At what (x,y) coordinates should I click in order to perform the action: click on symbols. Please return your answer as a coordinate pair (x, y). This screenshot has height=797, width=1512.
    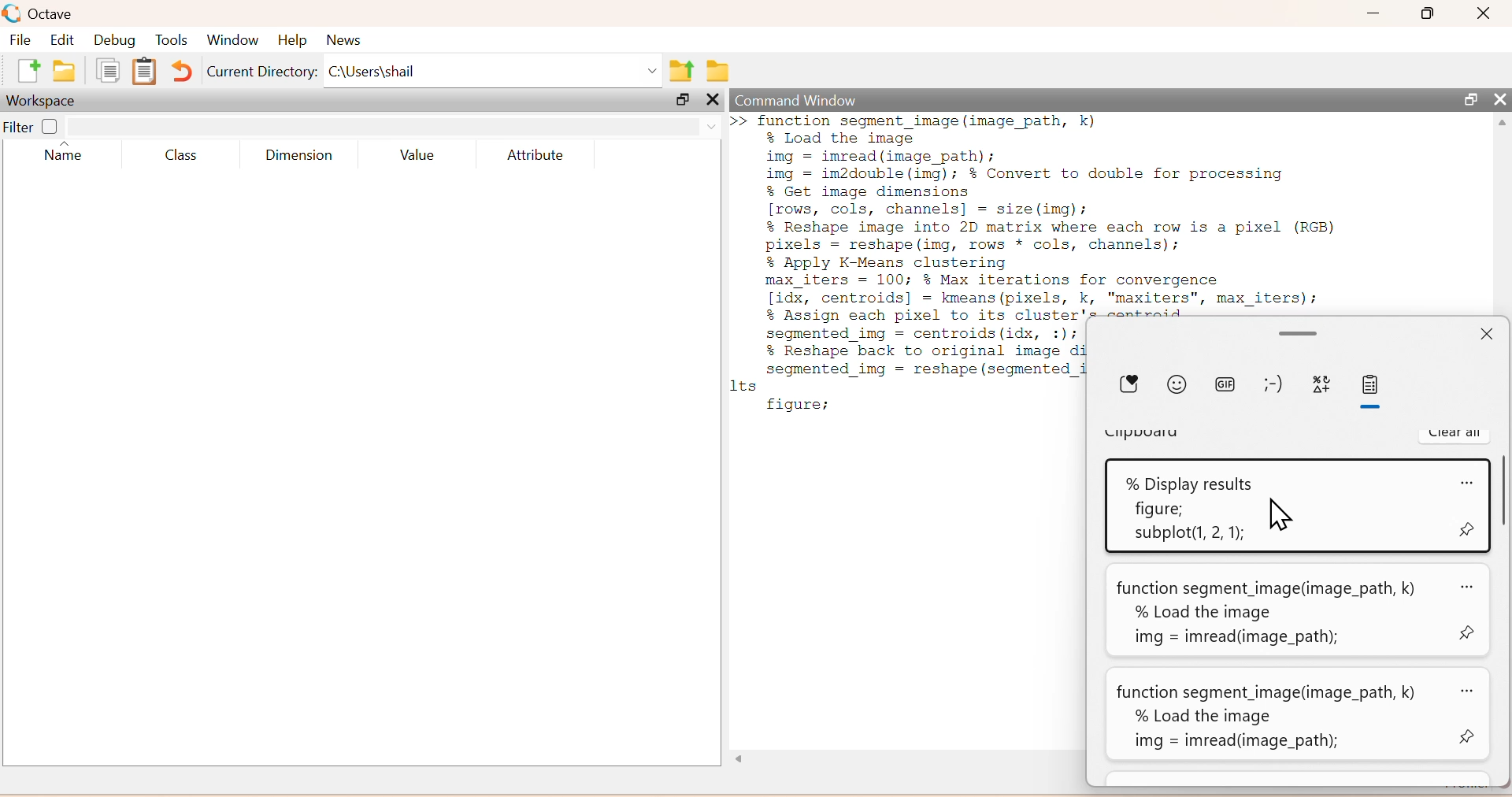
    Looking at the image, I should click on (1327, 385).